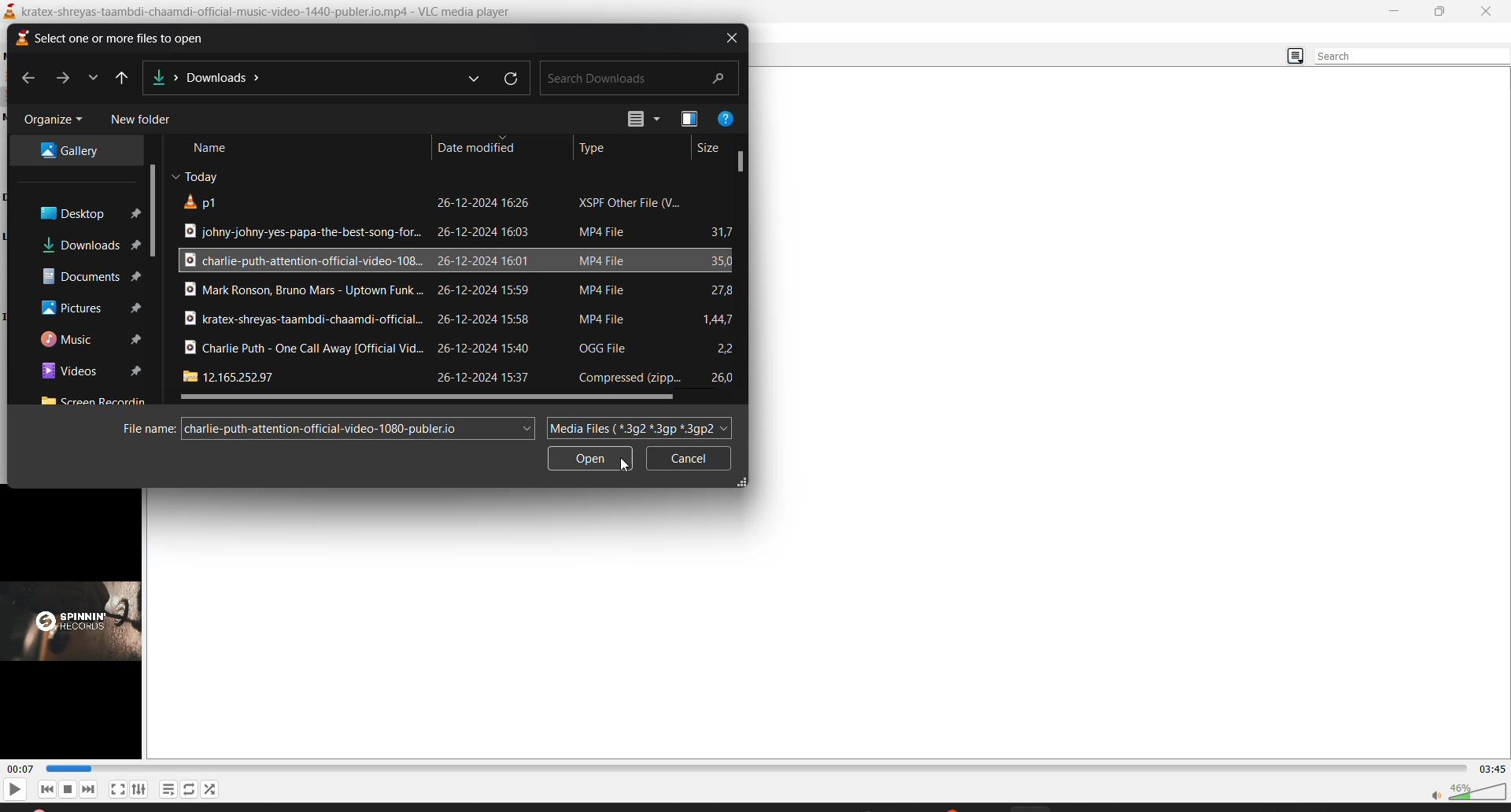 Image resolution: width=1511 pixels, height=812 pixels. What do you see at coordinates (94, 373) in the screenshot?
I see `videos` at bounding box center [94, 373].